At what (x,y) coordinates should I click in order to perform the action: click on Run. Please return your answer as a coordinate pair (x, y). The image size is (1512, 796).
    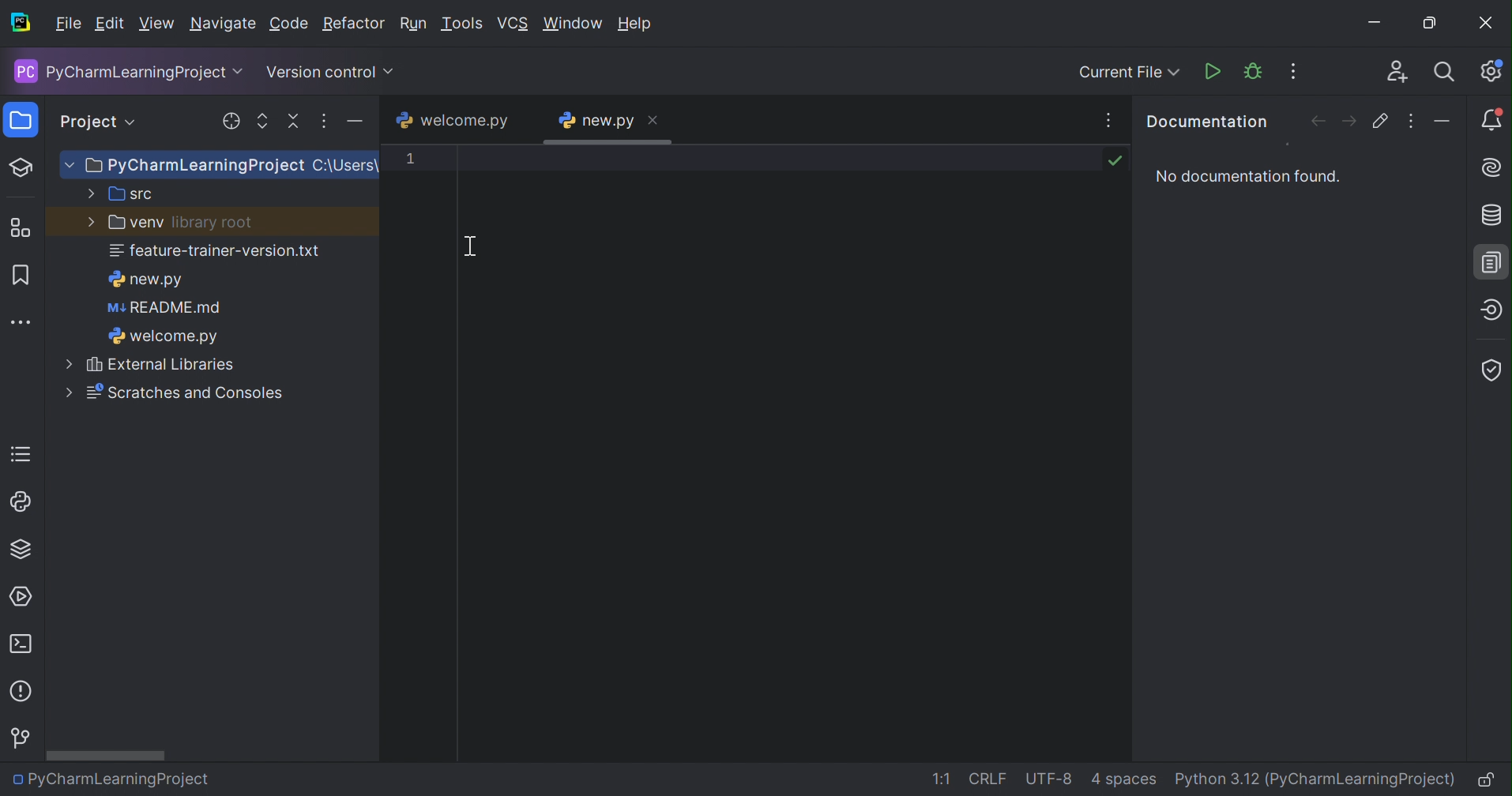
    Looking at the image, I should click on (415, 24).